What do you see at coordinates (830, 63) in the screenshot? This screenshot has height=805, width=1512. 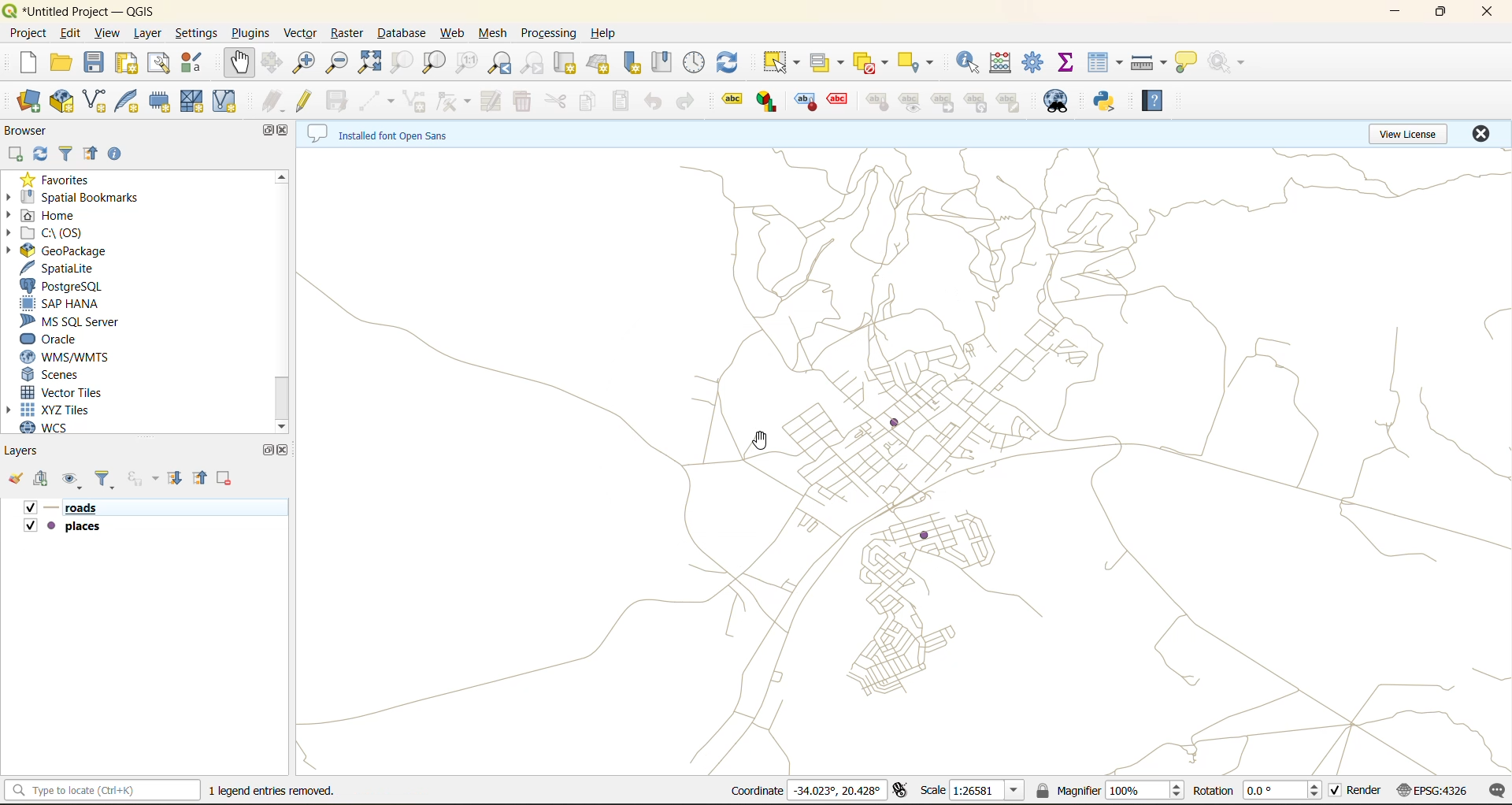 I see `select value` at bounding box center [830, 63].